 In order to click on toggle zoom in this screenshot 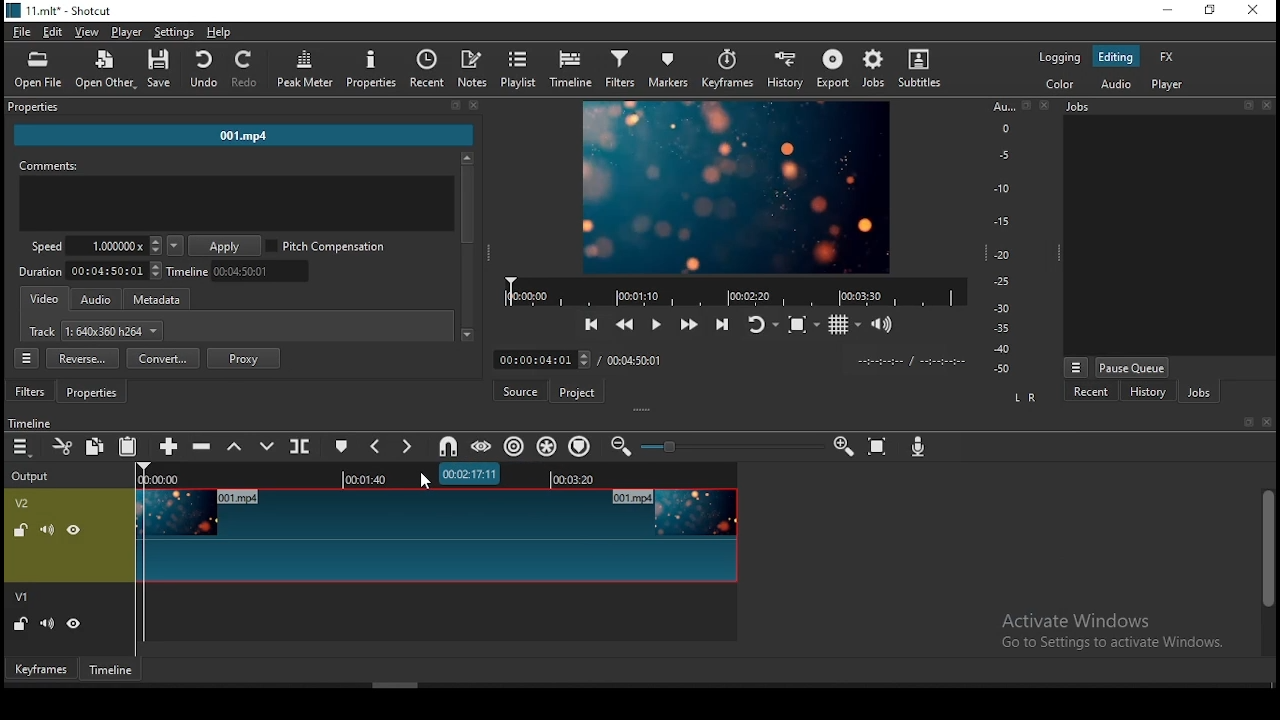, I will do `click(802, 323)`.